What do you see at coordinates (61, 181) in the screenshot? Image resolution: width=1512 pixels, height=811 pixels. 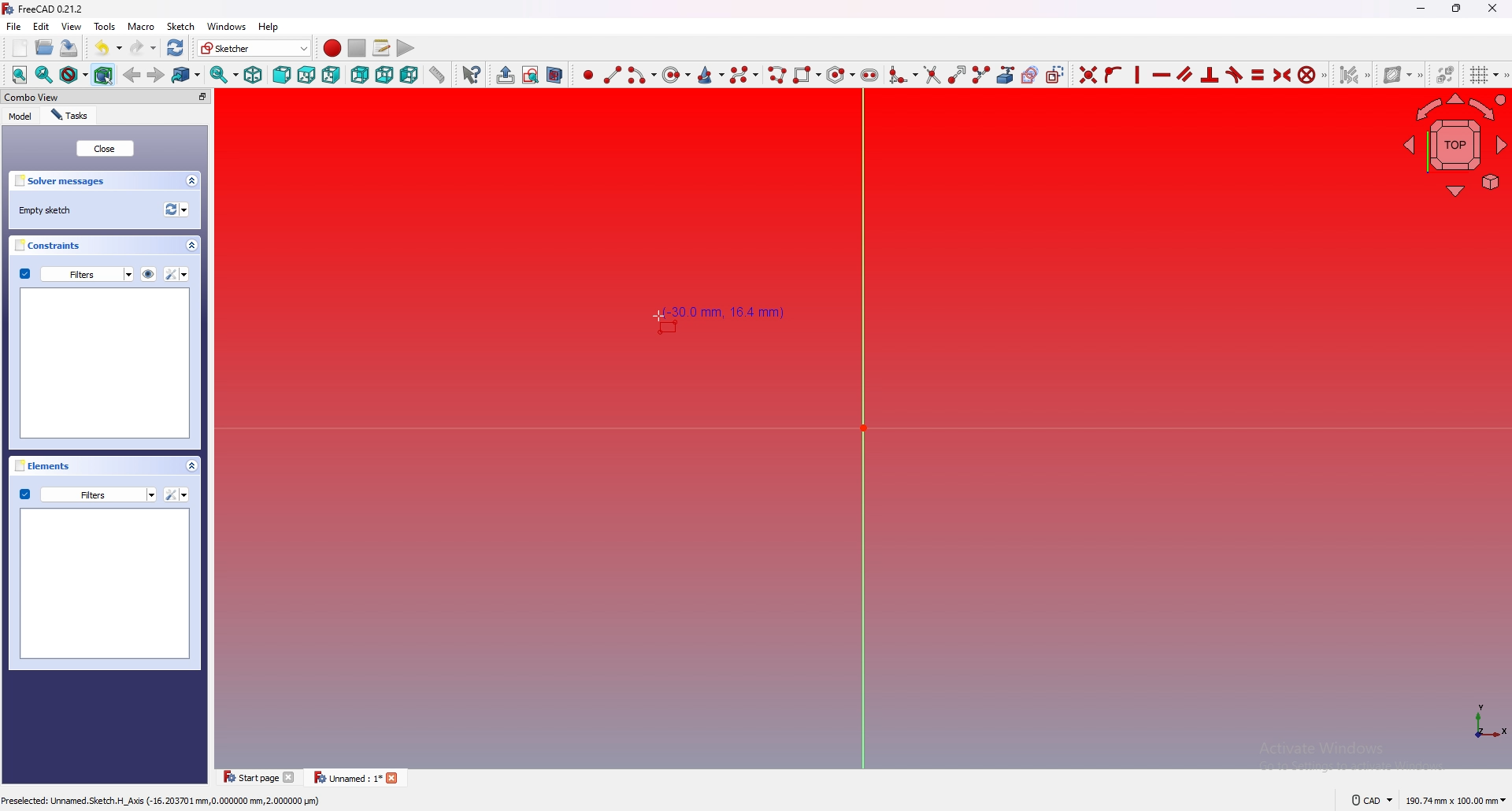 I see `solver messages` at bounding box center [61, 181].